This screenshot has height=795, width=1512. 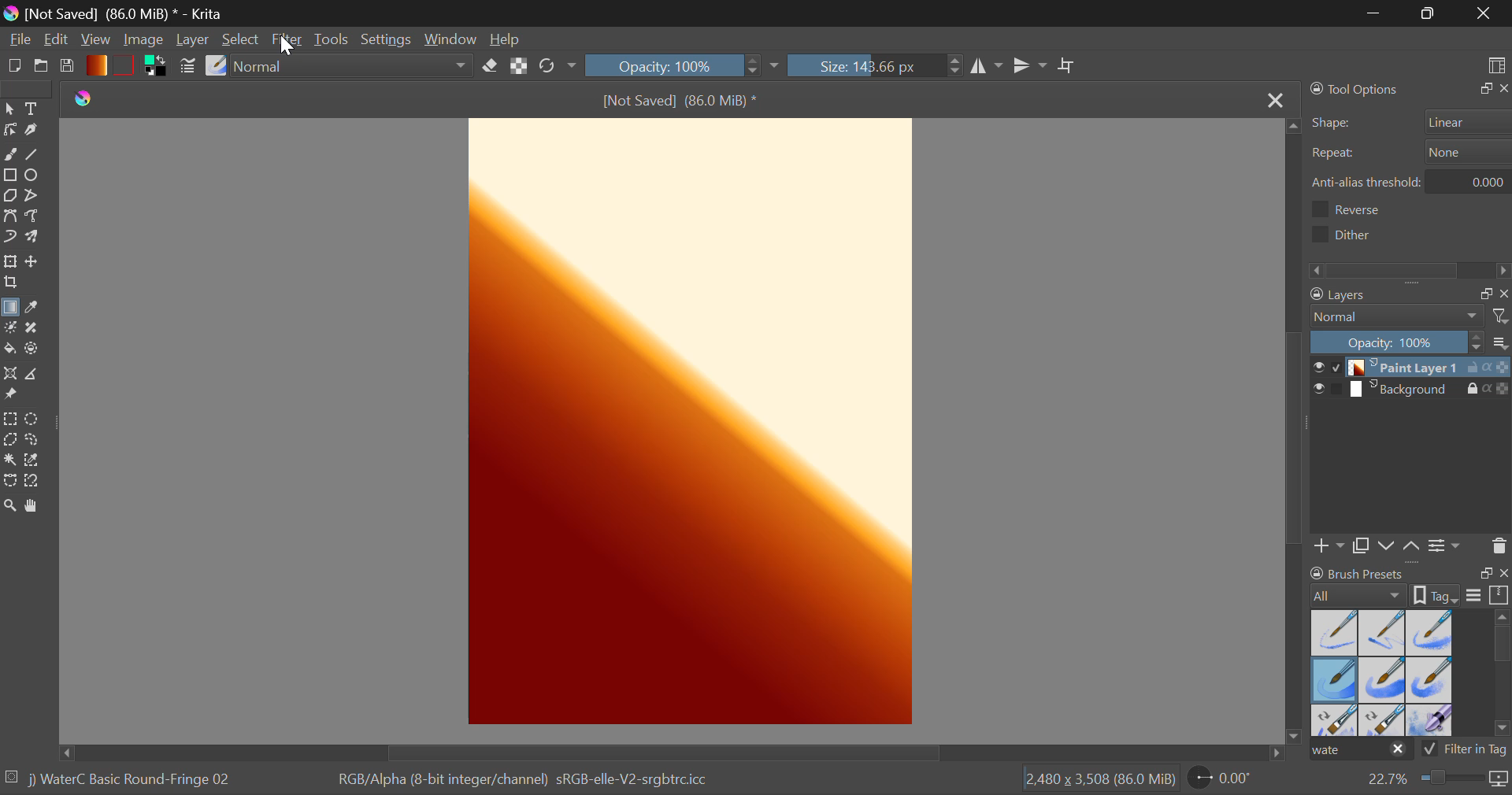 What do you see at coordinates (880, 66) in the screenshot?
I see `Brush Size` at bounding box center [880, 66].